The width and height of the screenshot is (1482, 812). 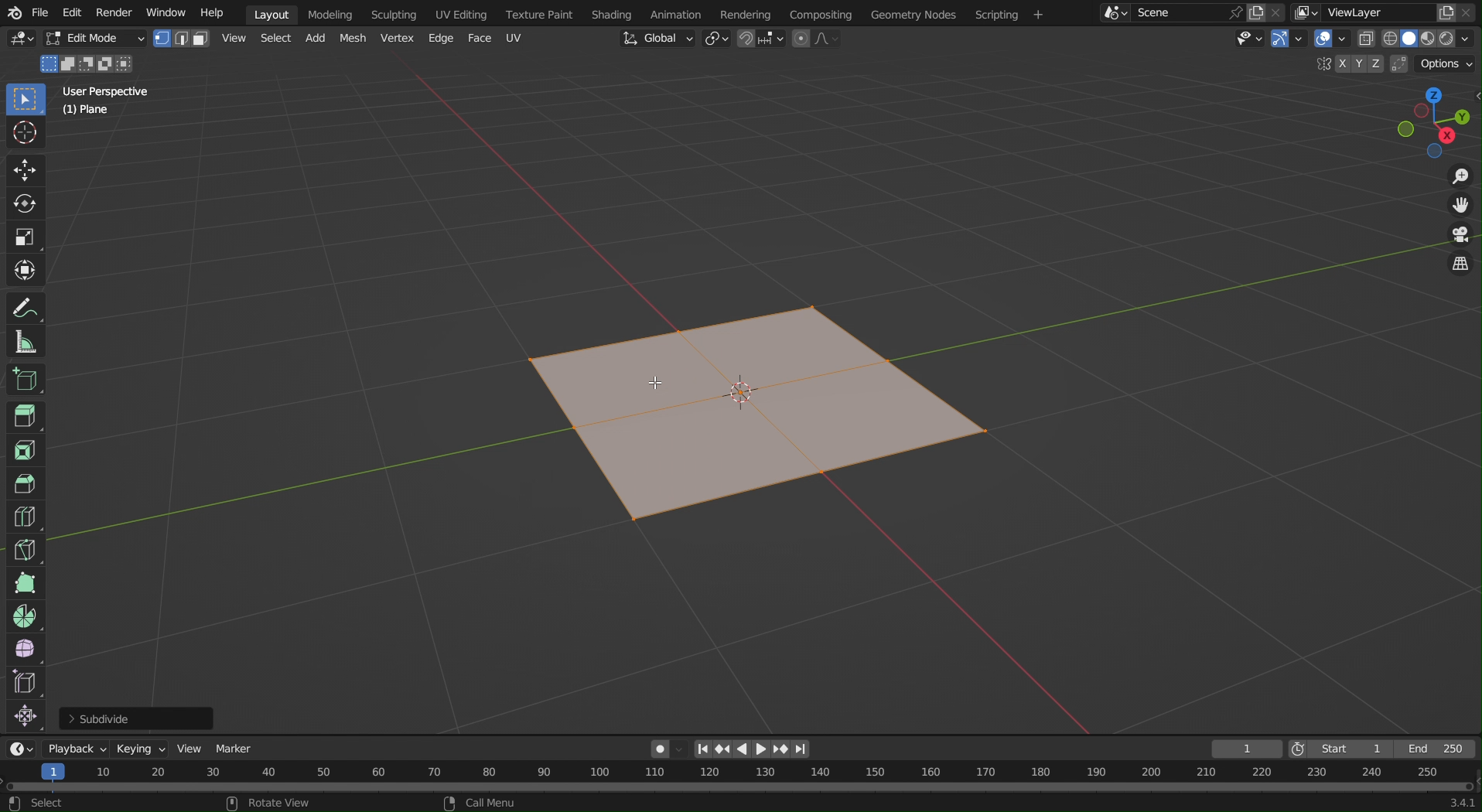 What do you see at coordinates (480, 39) in the screenshot?
I see `Face` at bounding box center [480, 39].